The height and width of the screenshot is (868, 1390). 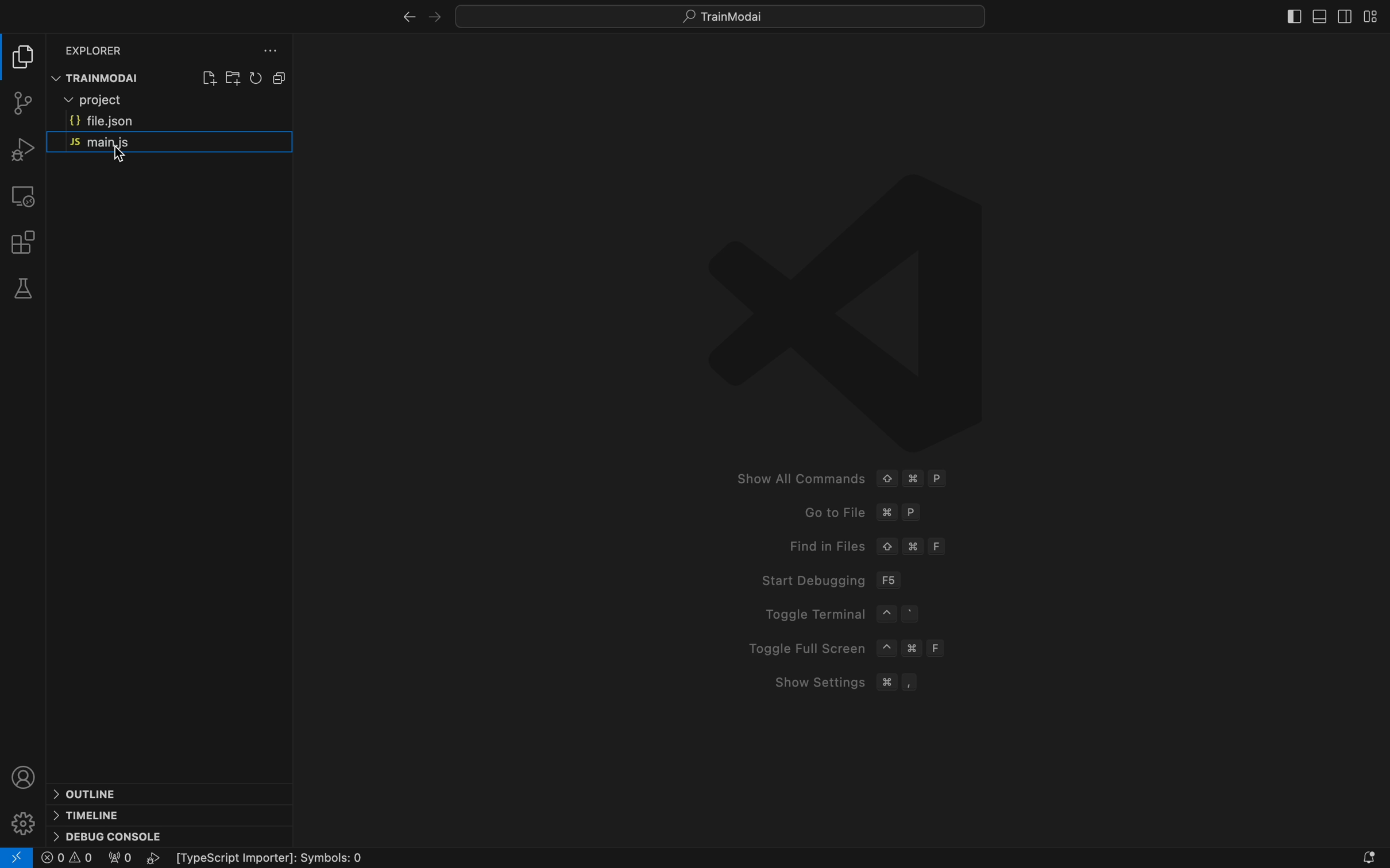 I want to click on , so click(x=258, y=77).